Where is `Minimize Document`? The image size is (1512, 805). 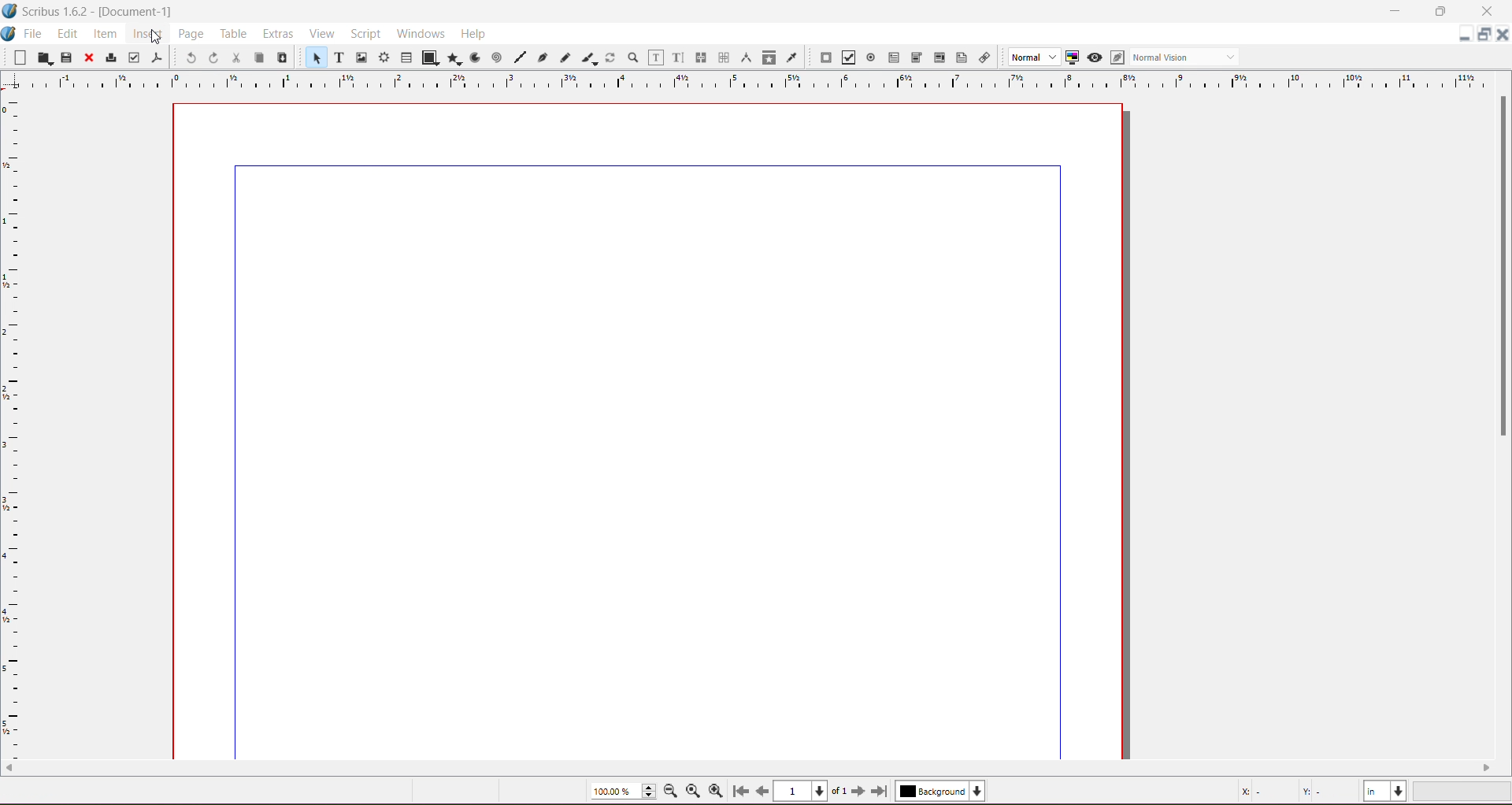 Minimize Document is located at coordinates (1485, 35).